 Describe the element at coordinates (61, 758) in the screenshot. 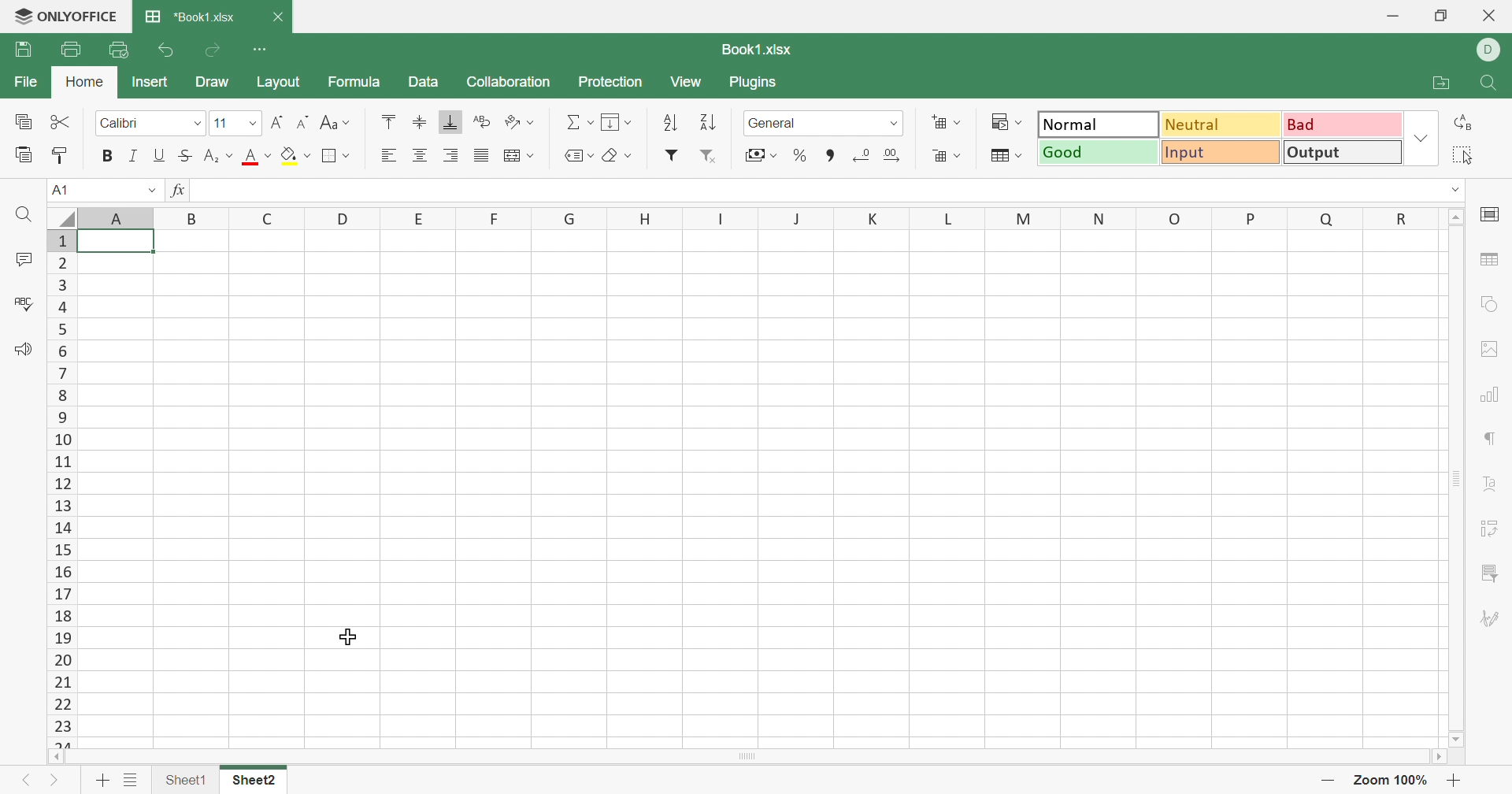

I see `Scroll left` at that location.